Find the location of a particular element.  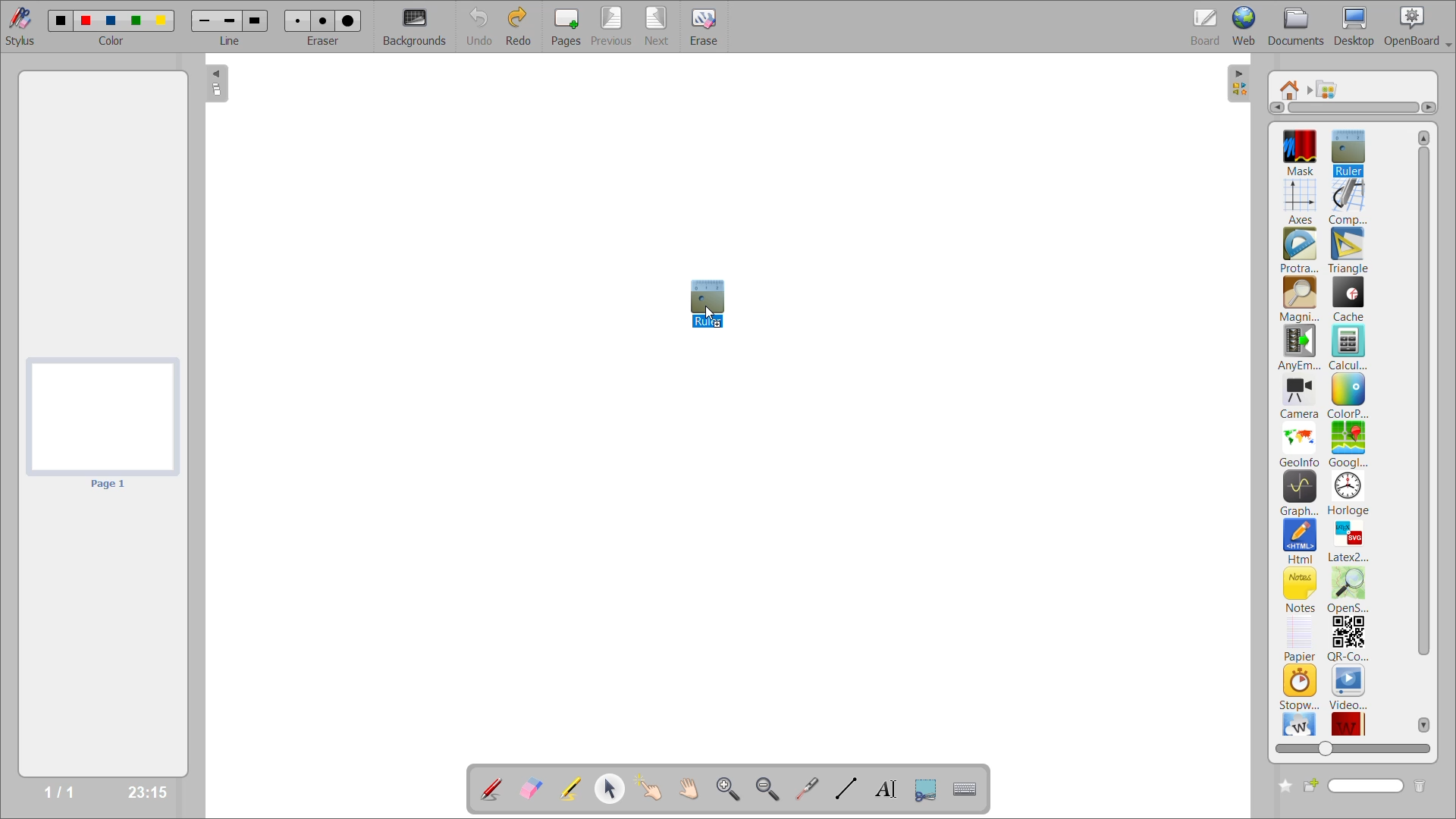

horizontal scroll bar is located at coordinates (1354, 108).